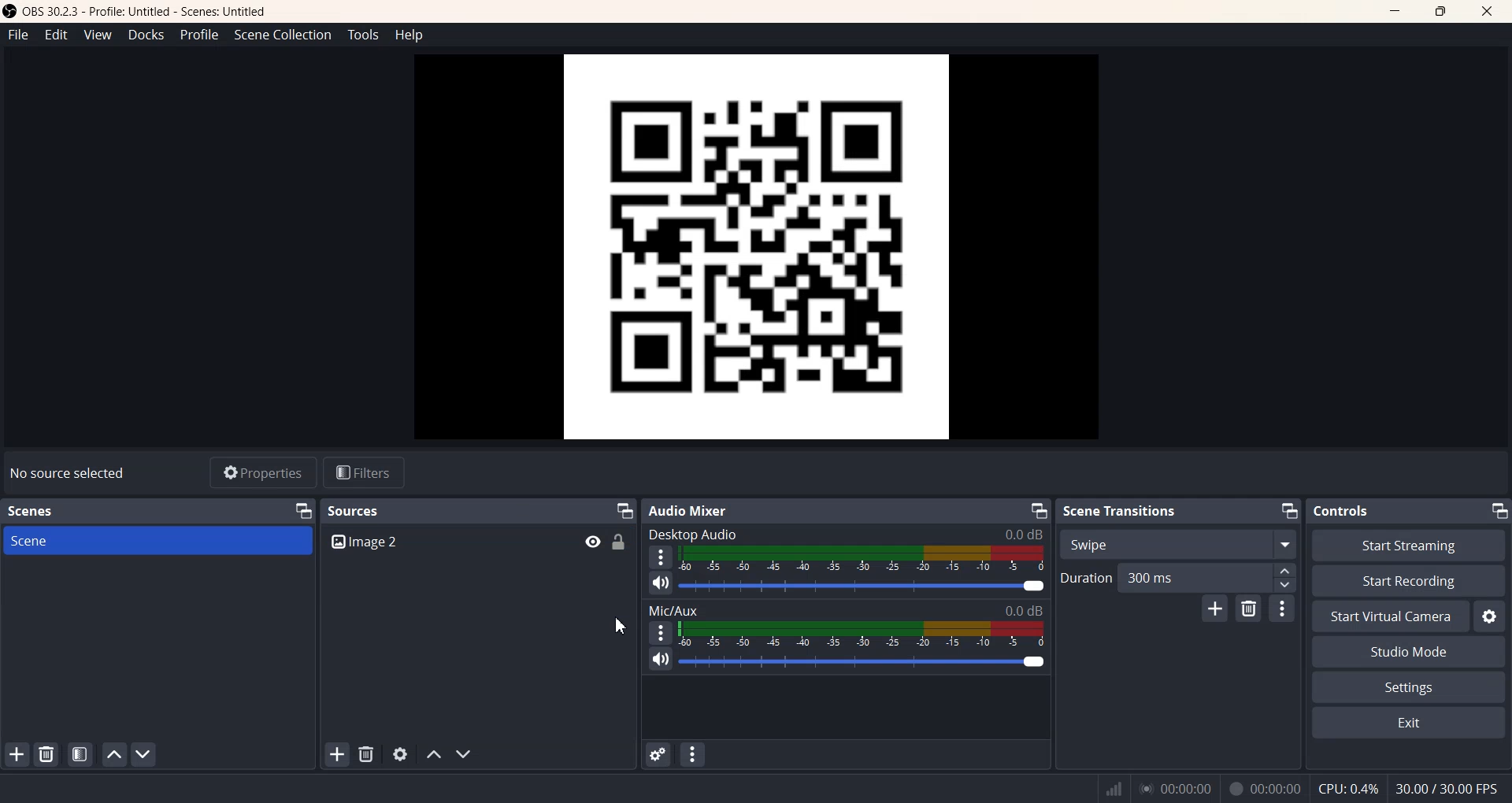  Describe the element at coordinates (56, 34) in the screenshot. I see `Edit` at that location.